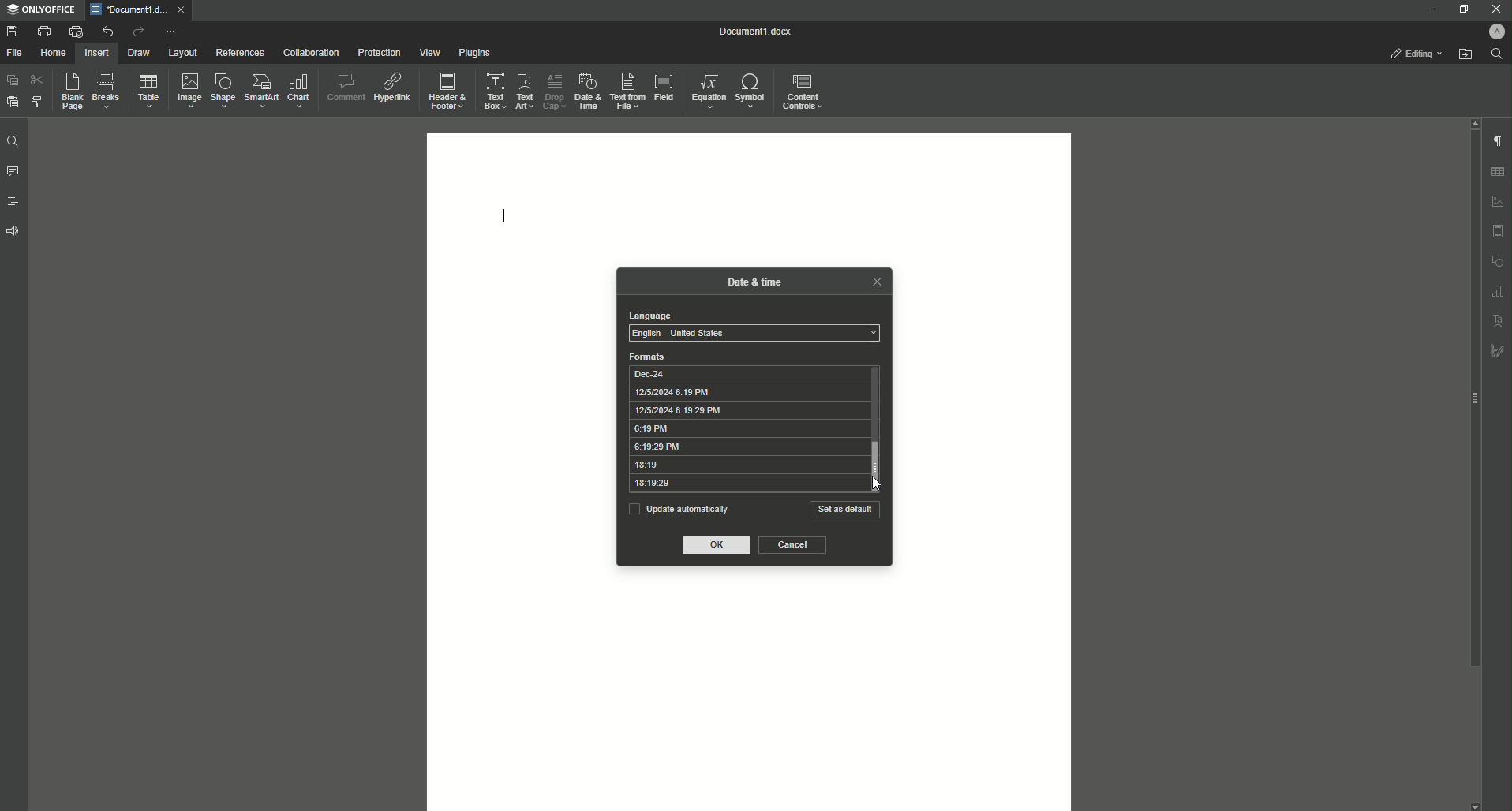 This screenshot has height=811, width=1512. What do you see at coordinates (145, 91) in the screenshot?
I see `Table` at bounding box center [145, 91].